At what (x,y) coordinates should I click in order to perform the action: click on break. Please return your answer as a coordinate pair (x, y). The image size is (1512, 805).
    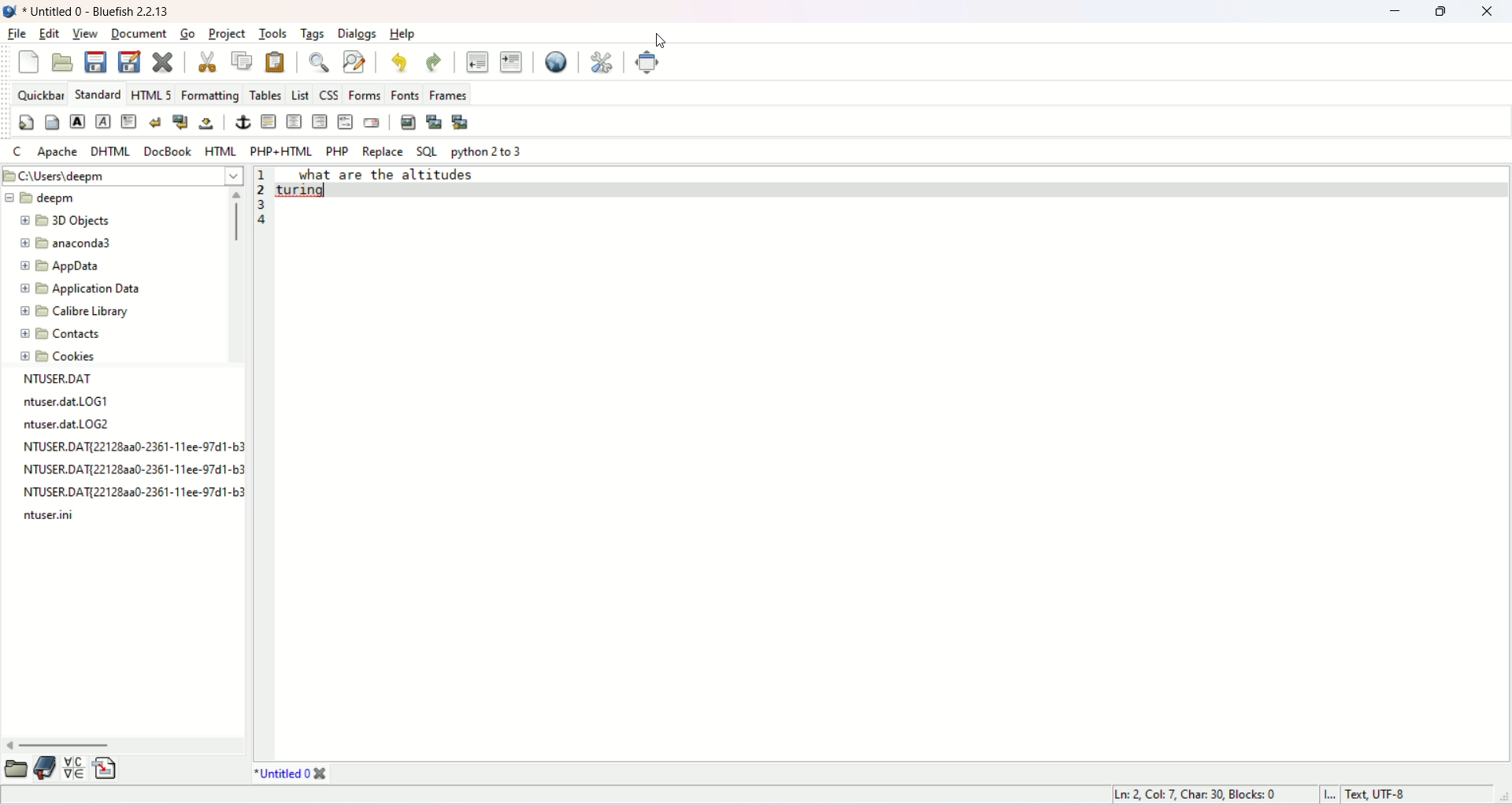
    Looking at the image, I should click on (154, 122).